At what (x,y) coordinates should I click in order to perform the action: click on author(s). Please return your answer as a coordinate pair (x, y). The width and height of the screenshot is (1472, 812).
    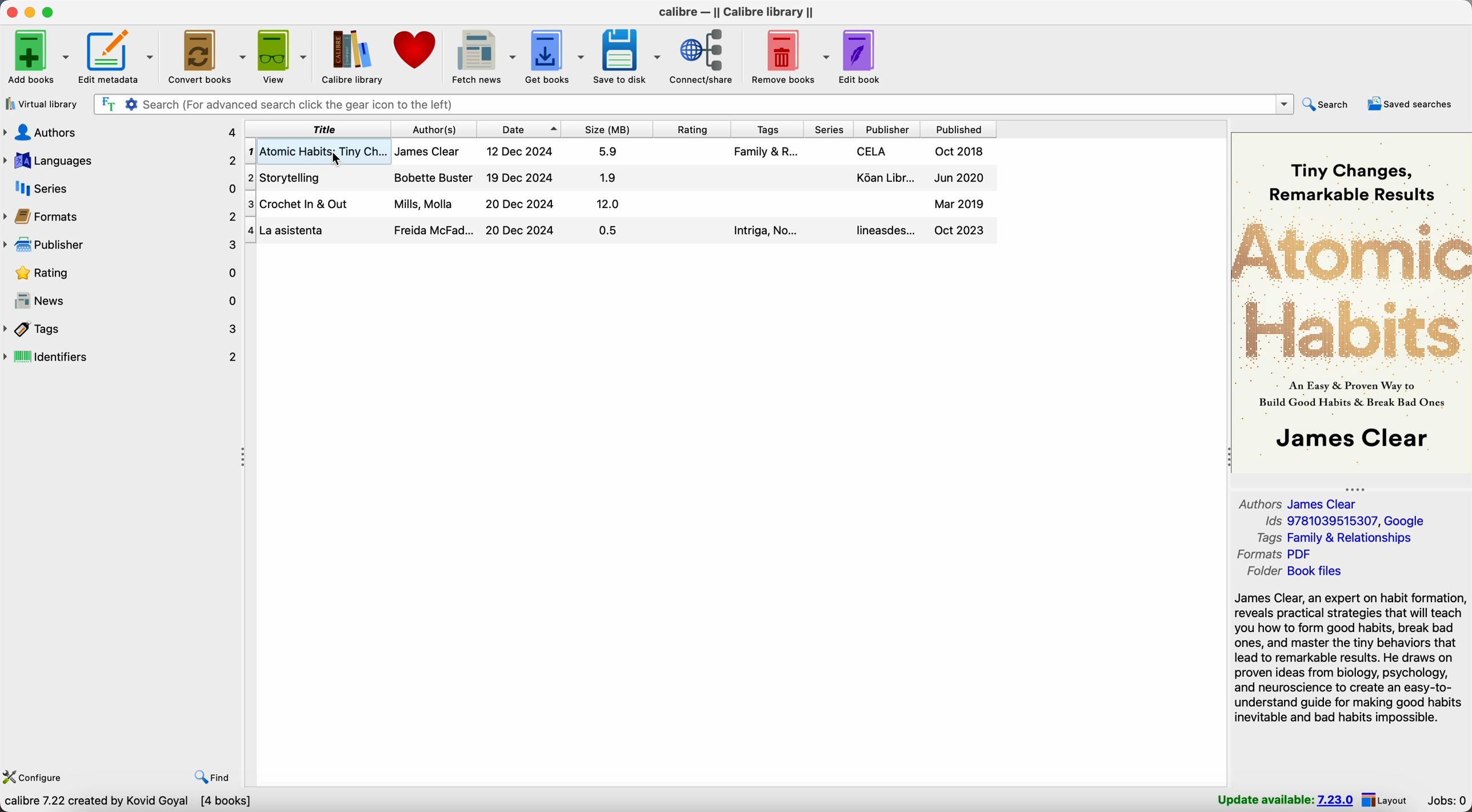
    Looking at the image, I should click on (436, 129).